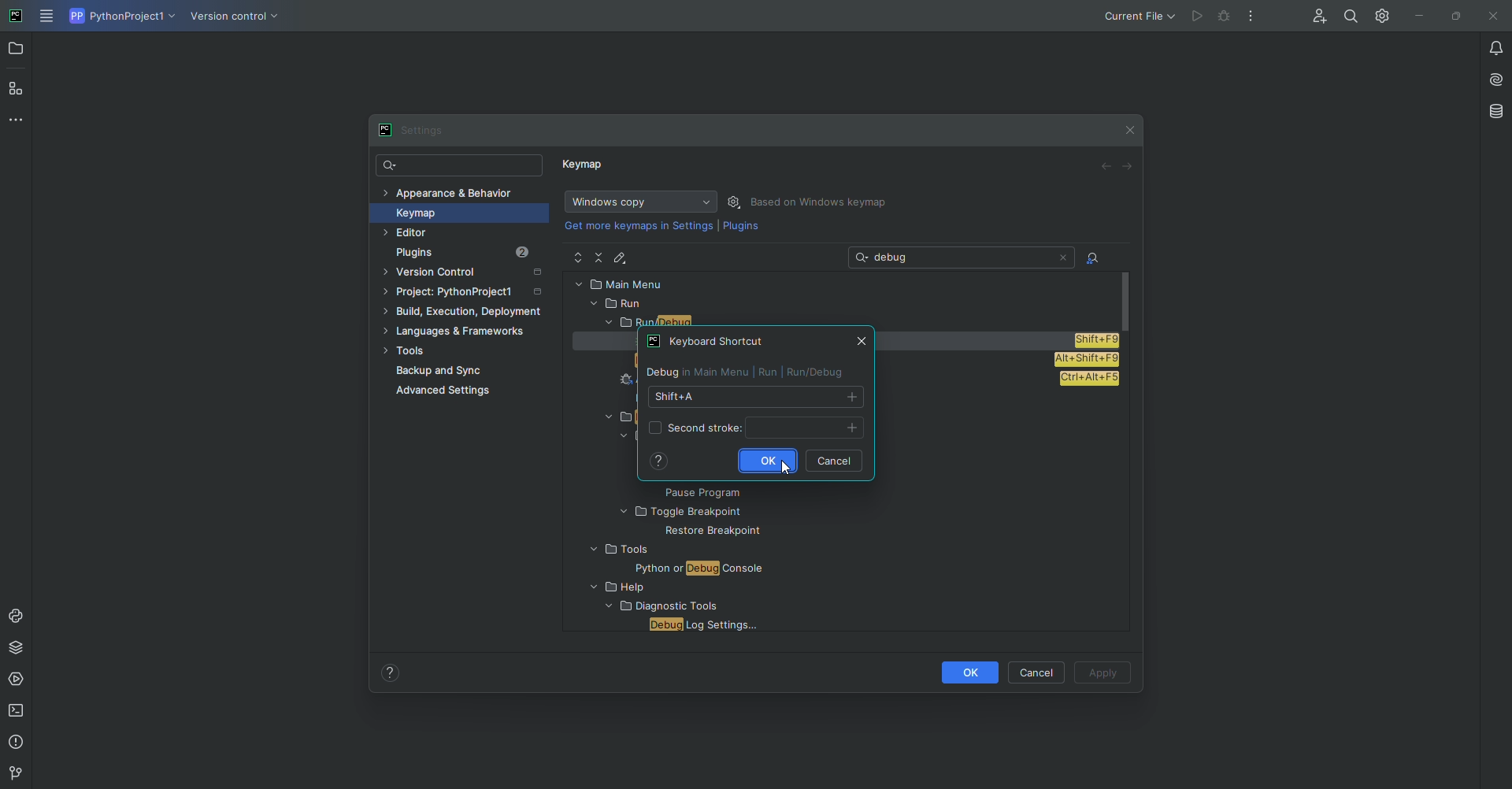 The height and width of the screenshot is (789, 1512). Describe the element at coordinates (1491, 78) in the screenshot. I see `AI` at that location.